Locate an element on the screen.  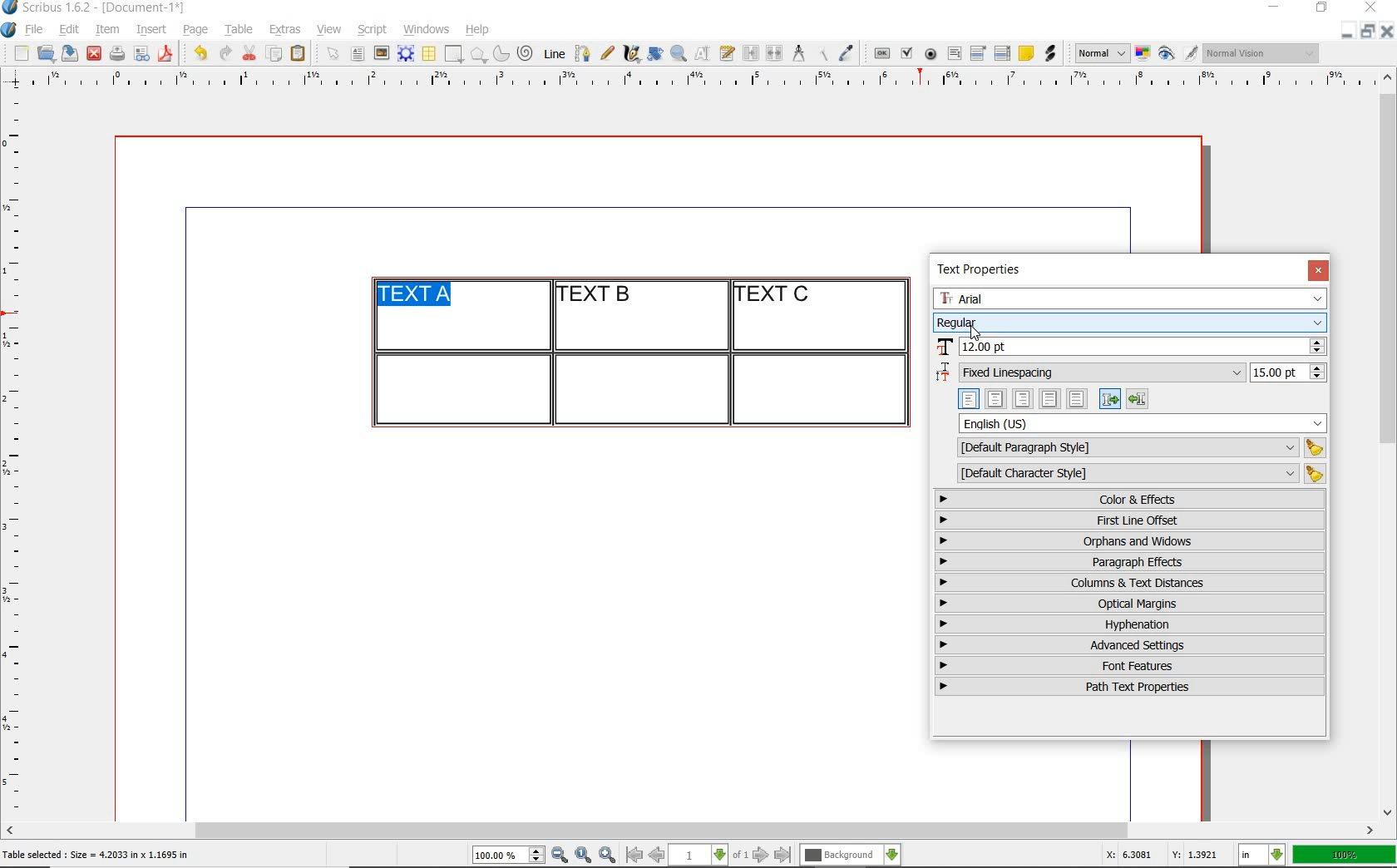
cut is located at coordinates (249, 52).